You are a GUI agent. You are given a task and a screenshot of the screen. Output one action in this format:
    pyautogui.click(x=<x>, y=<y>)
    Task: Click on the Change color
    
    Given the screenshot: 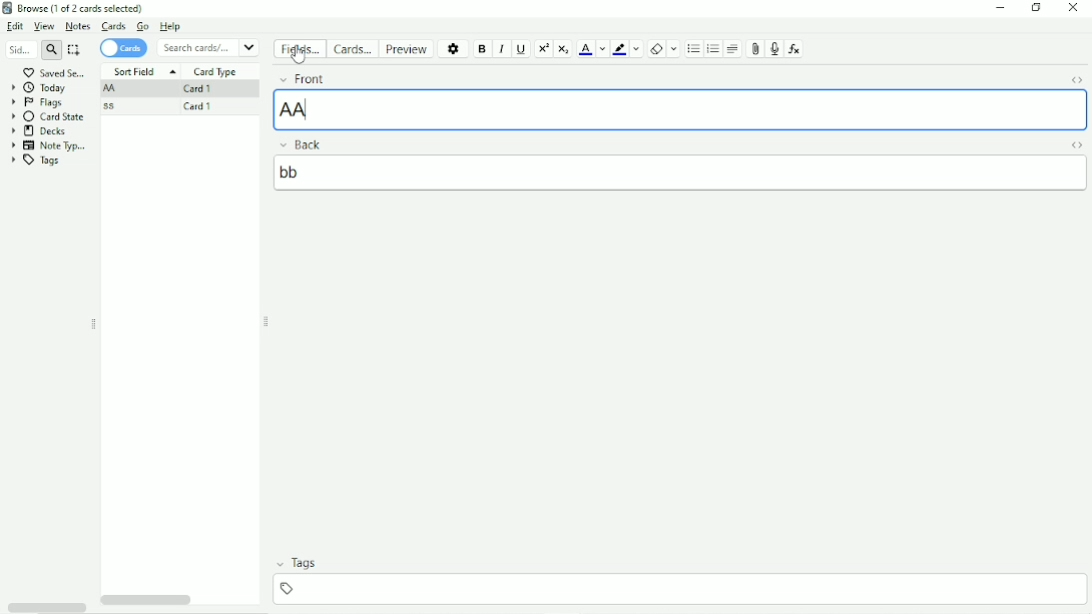 What is the action you would take?
    pyautogui.click(x=602, y=49)
    